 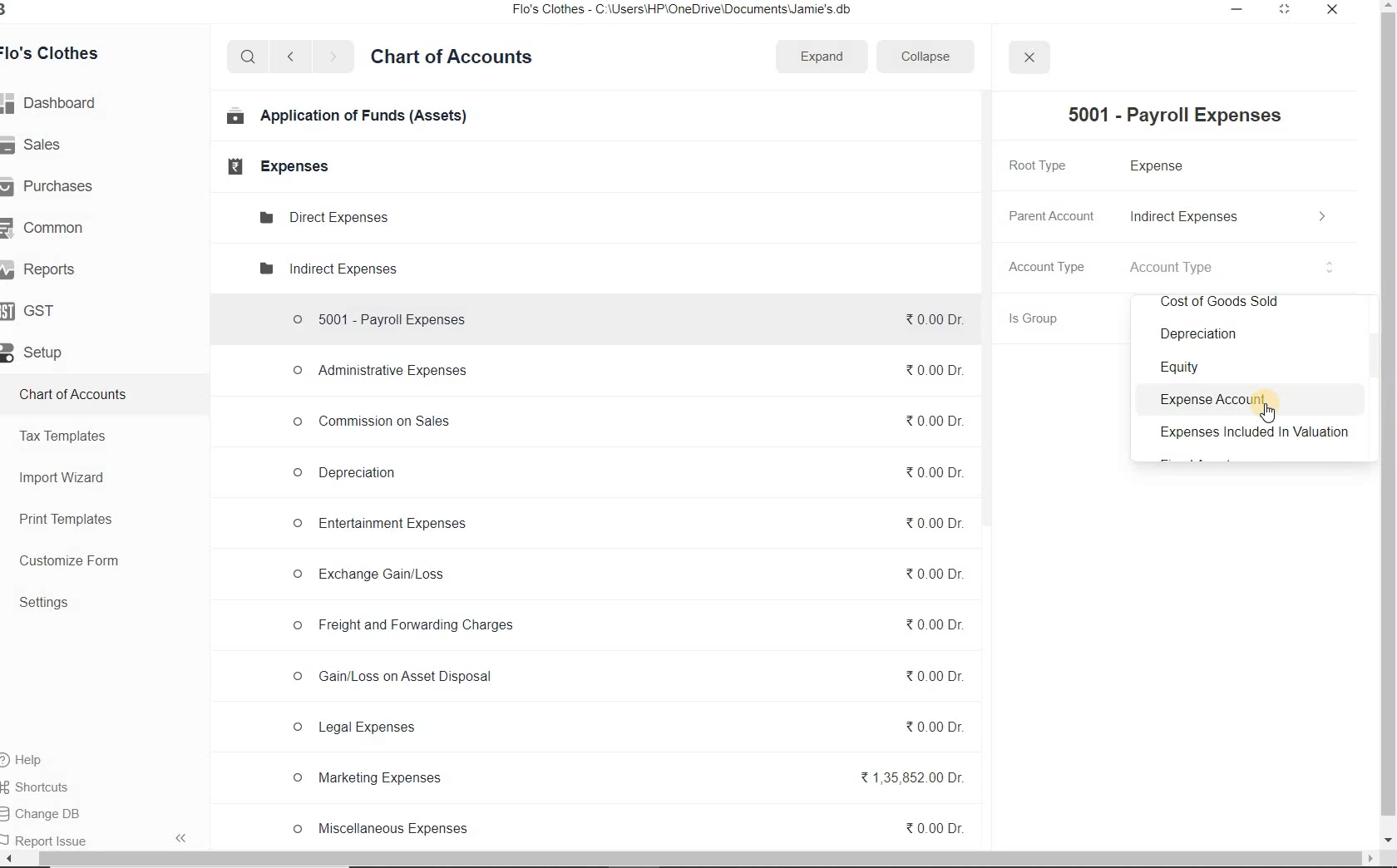 I want to click on Account Type, so click(x=1233, y=267).